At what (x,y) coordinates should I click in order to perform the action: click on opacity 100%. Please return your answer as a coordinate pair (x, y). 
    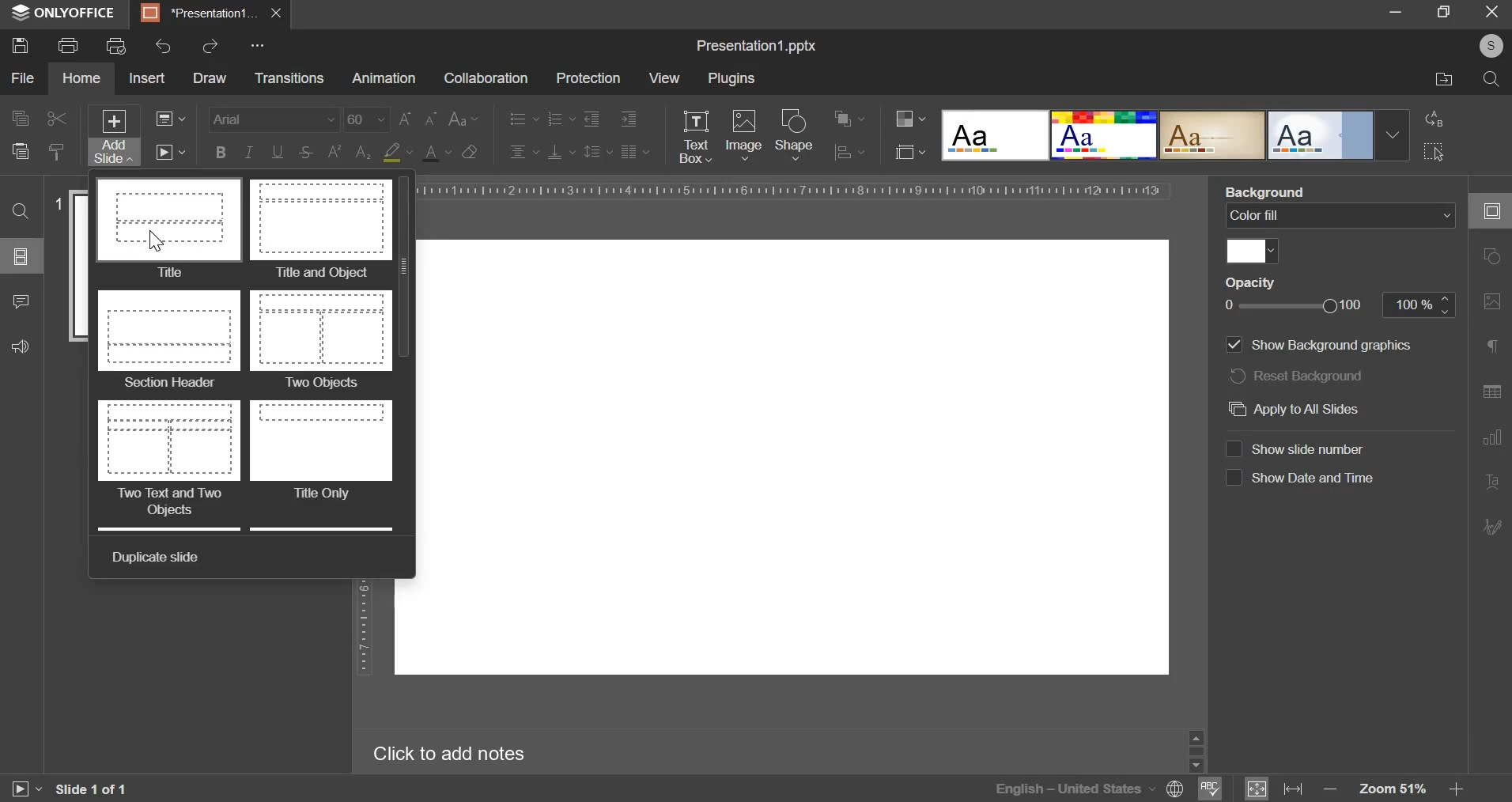
    Looking at the image, I should click on (1421, 304).